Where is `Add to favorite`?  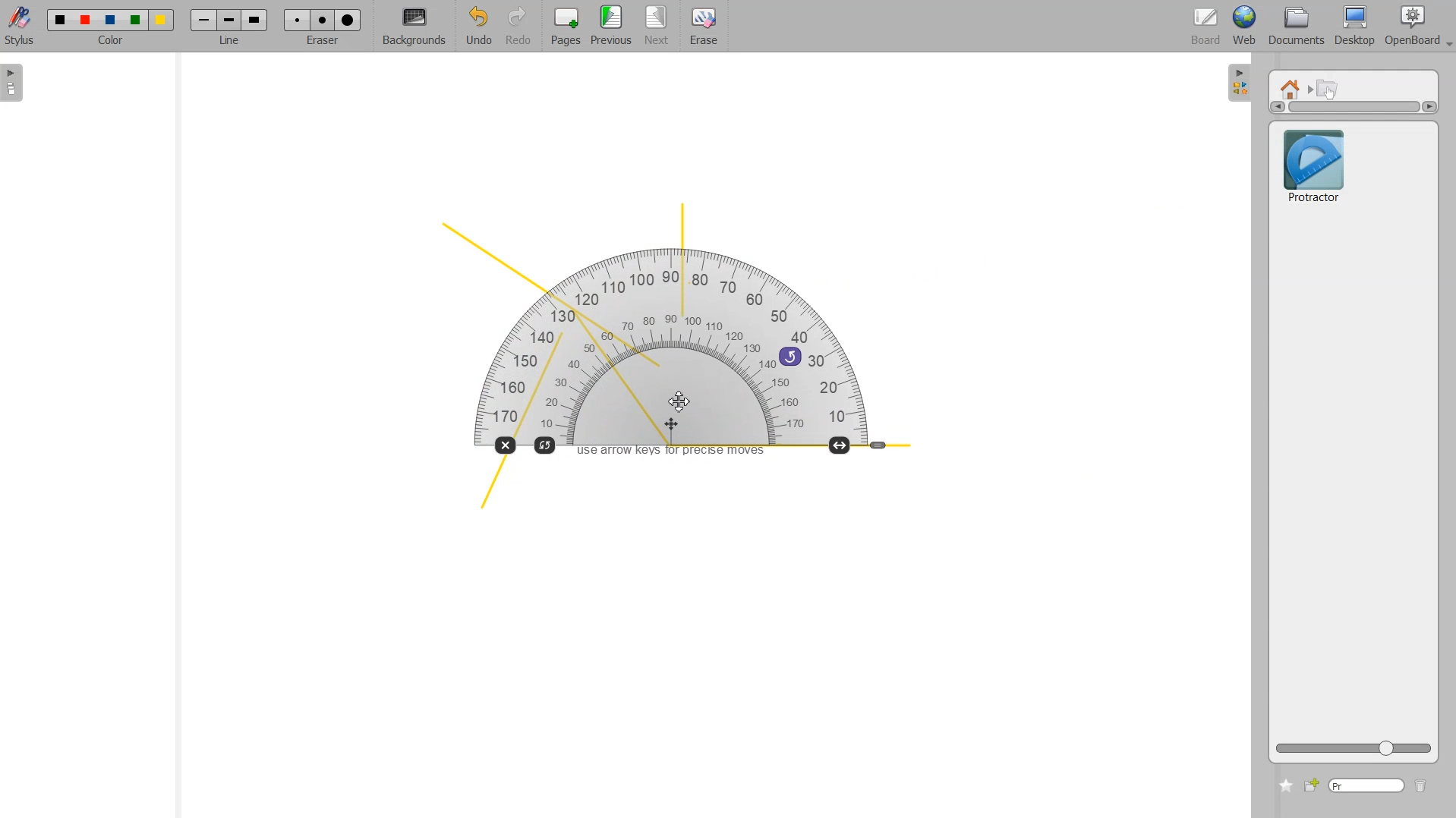 Add to favorite is located at coordinates (1285, 785).